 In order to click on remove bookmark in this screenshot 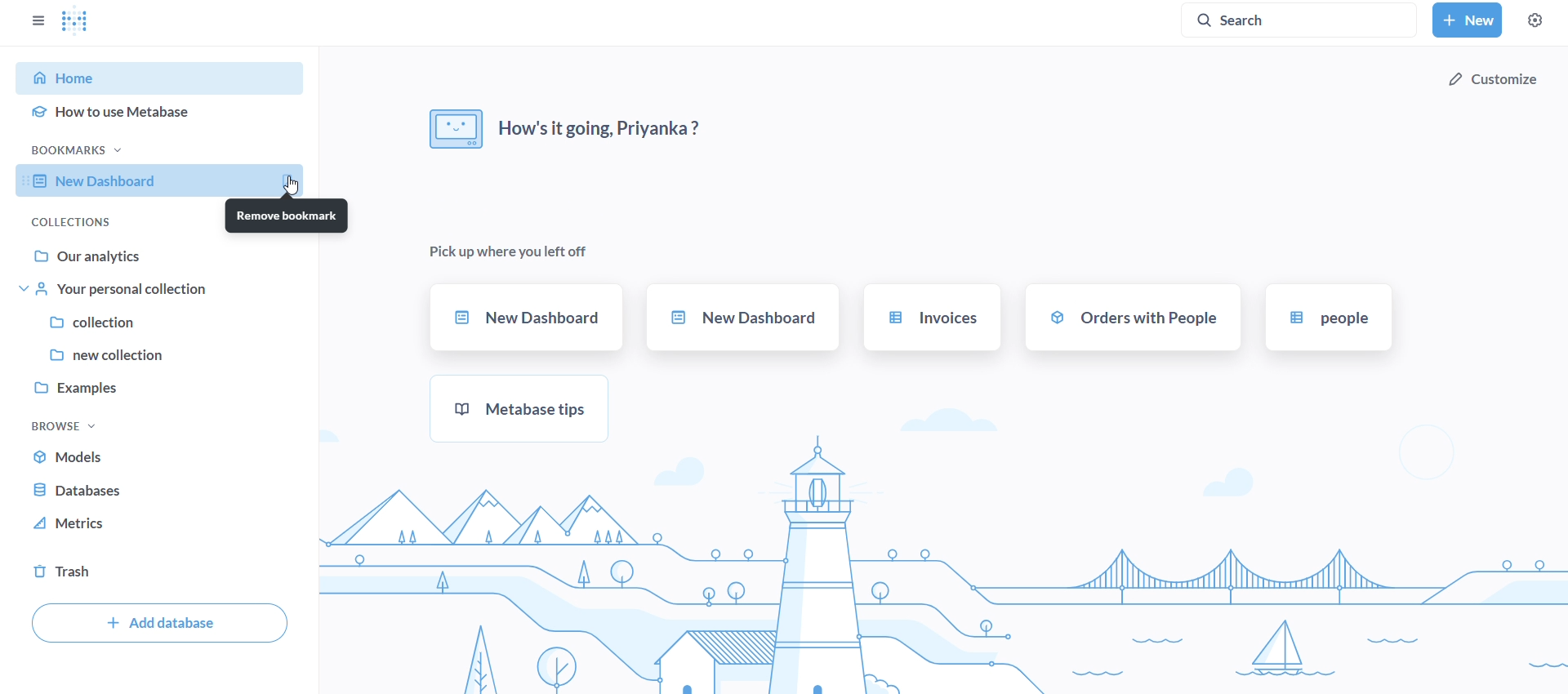, I will do `click(285, 216)`.